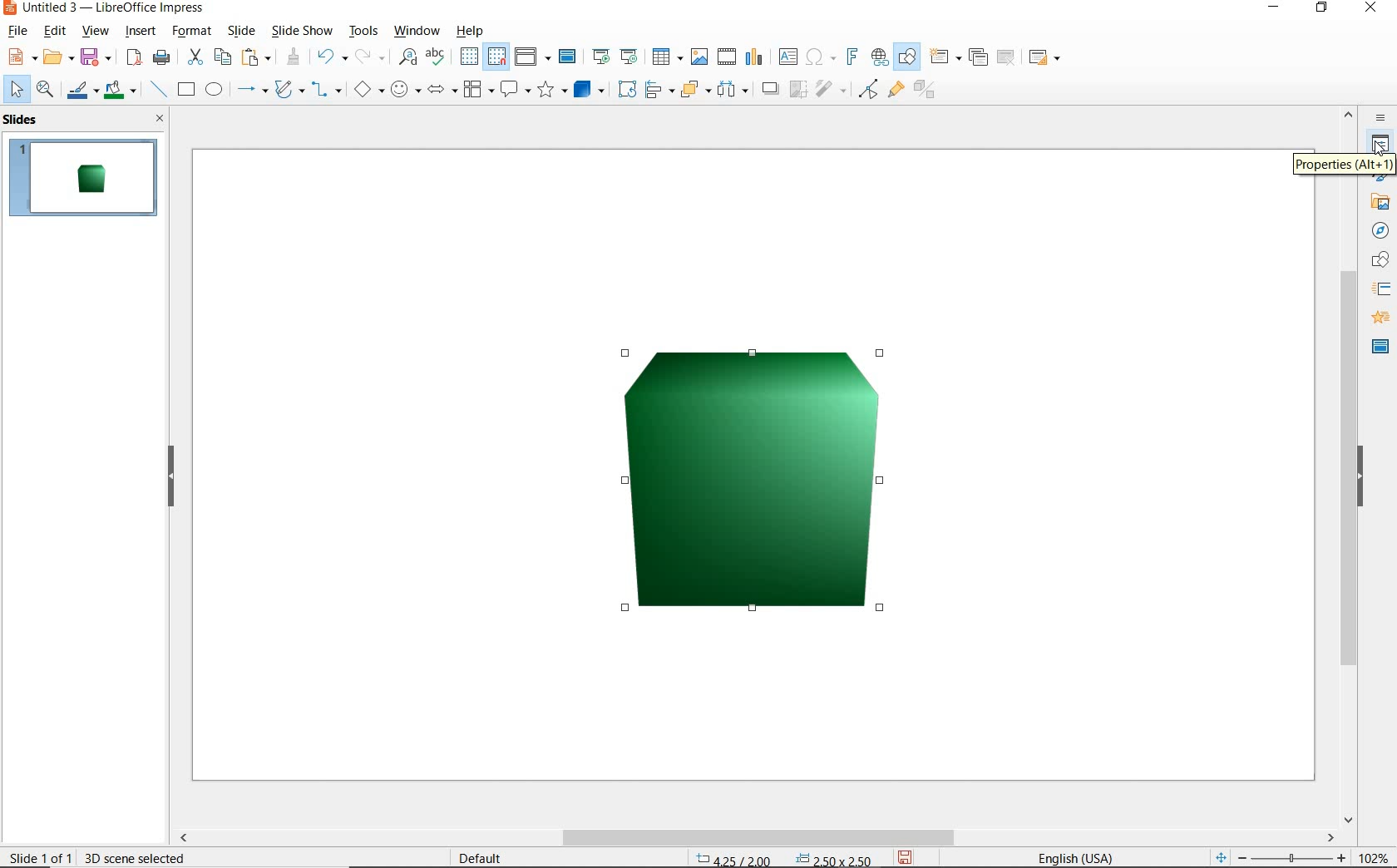  Describe the element at coordinates (867, 89) in the screenshot. I see `TOGGLE POINT EDIT MODE` at that location.